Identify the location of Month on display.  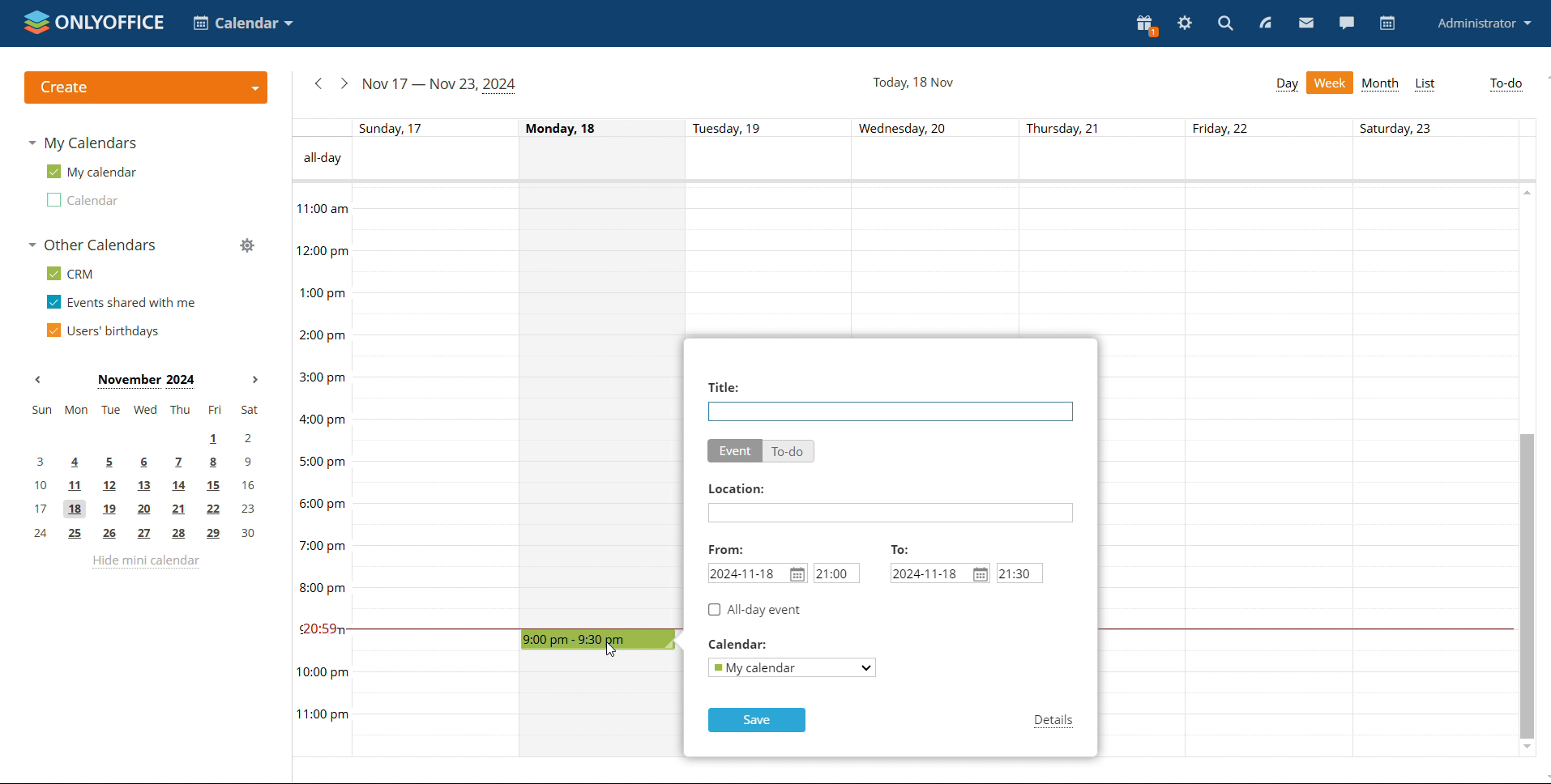
(146, 381).